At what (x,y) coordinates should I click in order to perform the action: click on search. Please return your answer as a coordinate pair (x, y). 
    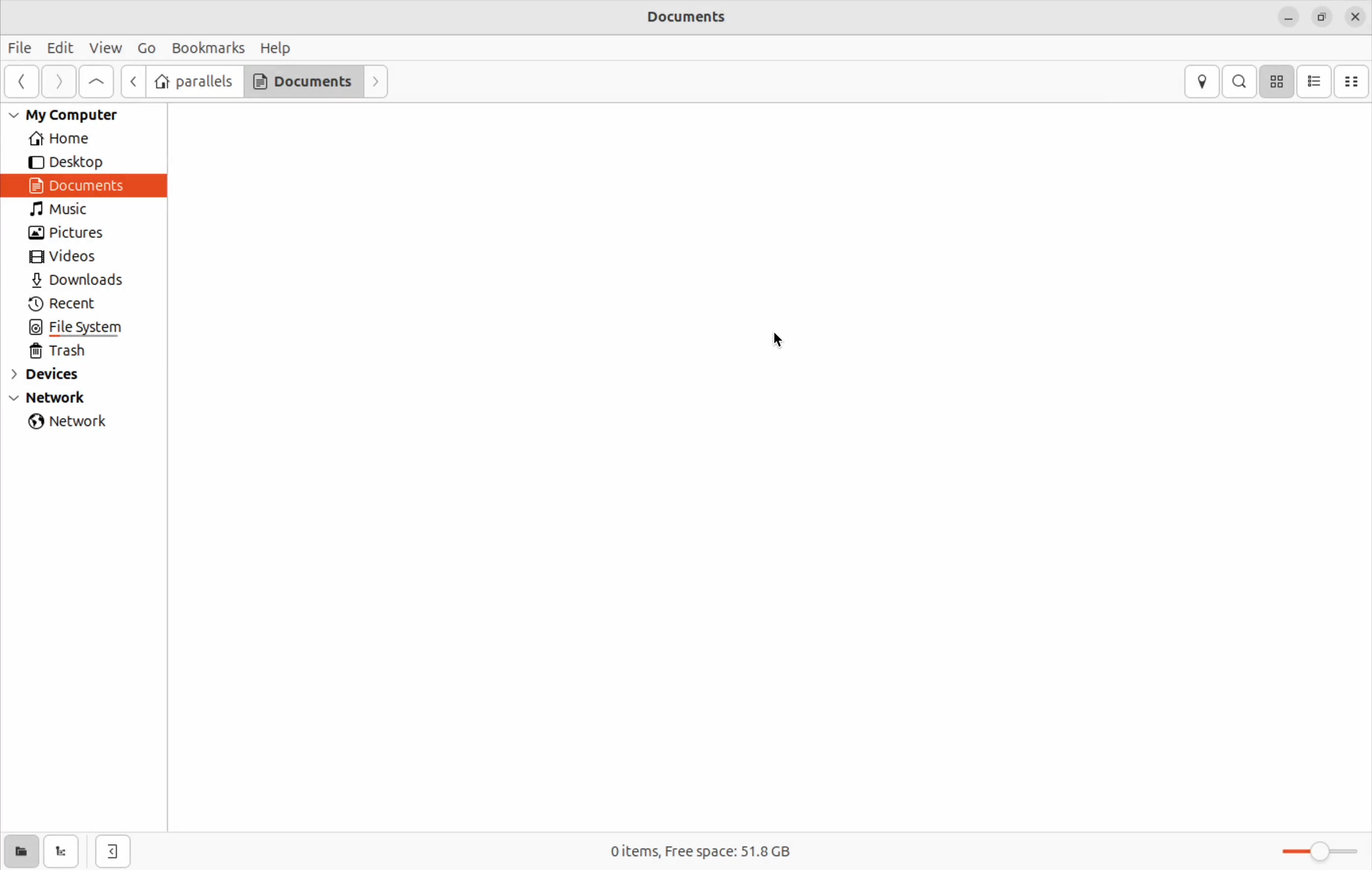
    Looking at the image, I should click on (1239, 80).